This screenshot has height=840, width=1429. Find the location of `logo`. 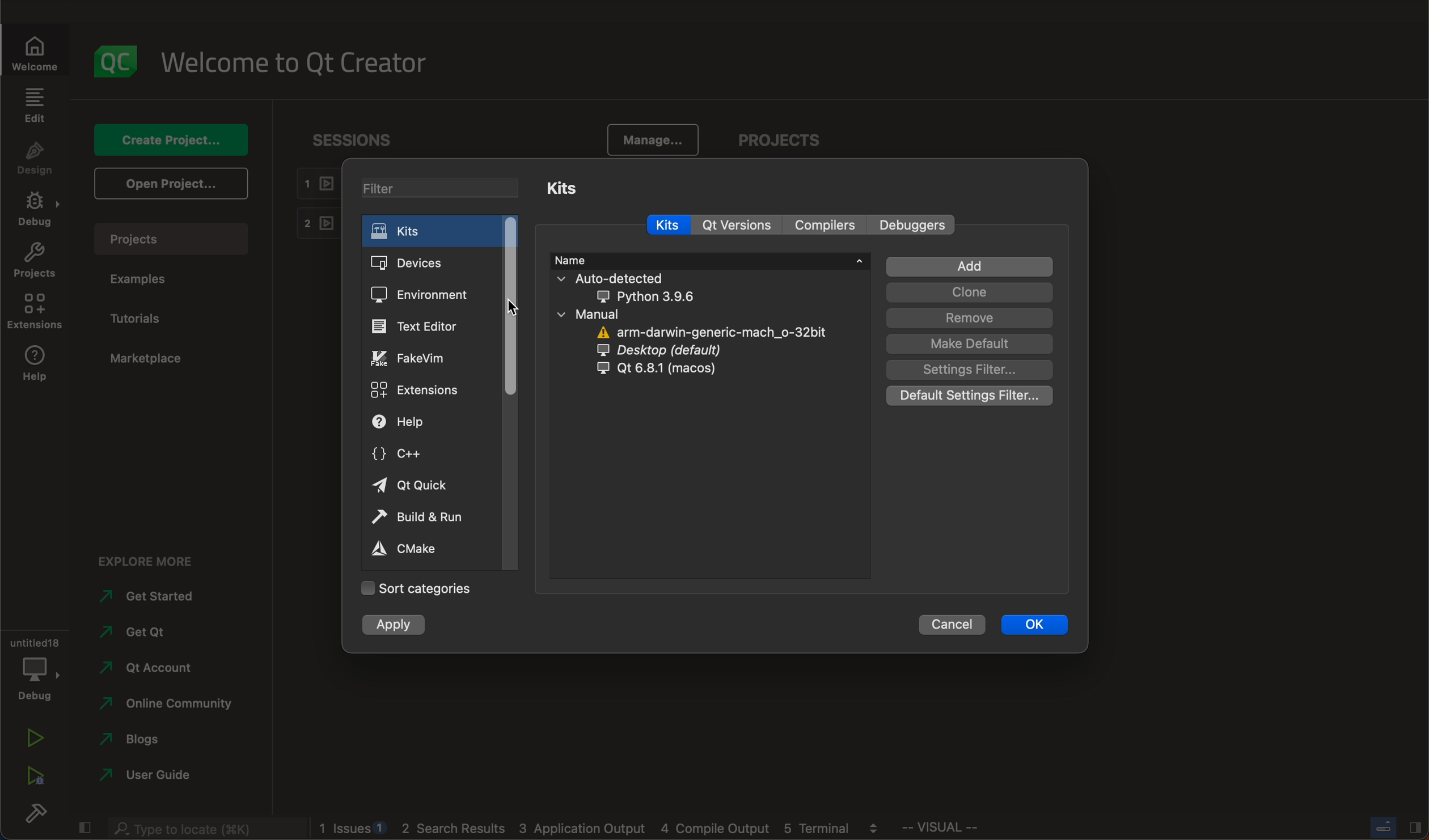

logo is located at coordinates (119, 60).